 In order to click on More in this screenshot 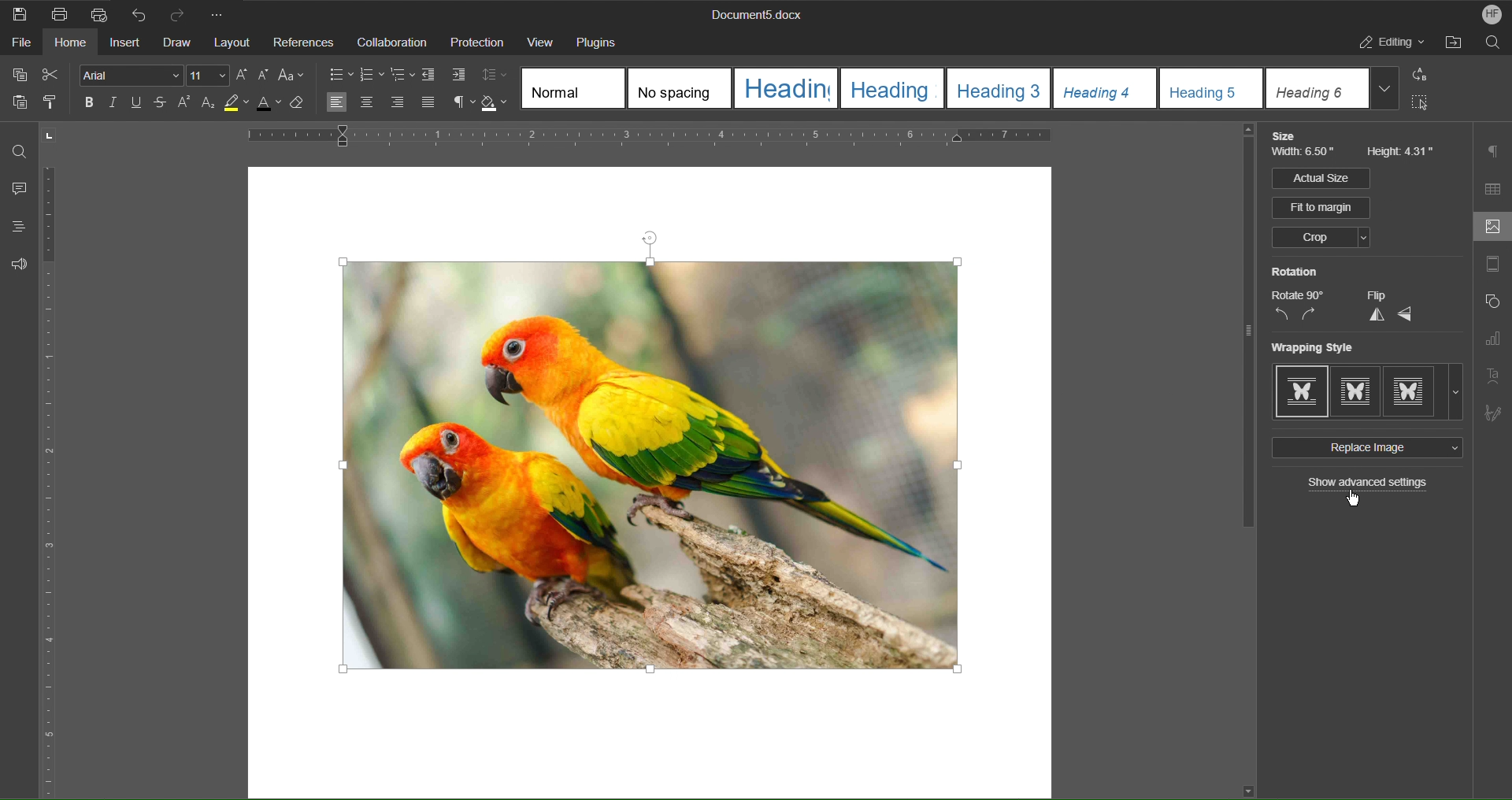, I will do `click(221, 13)`.